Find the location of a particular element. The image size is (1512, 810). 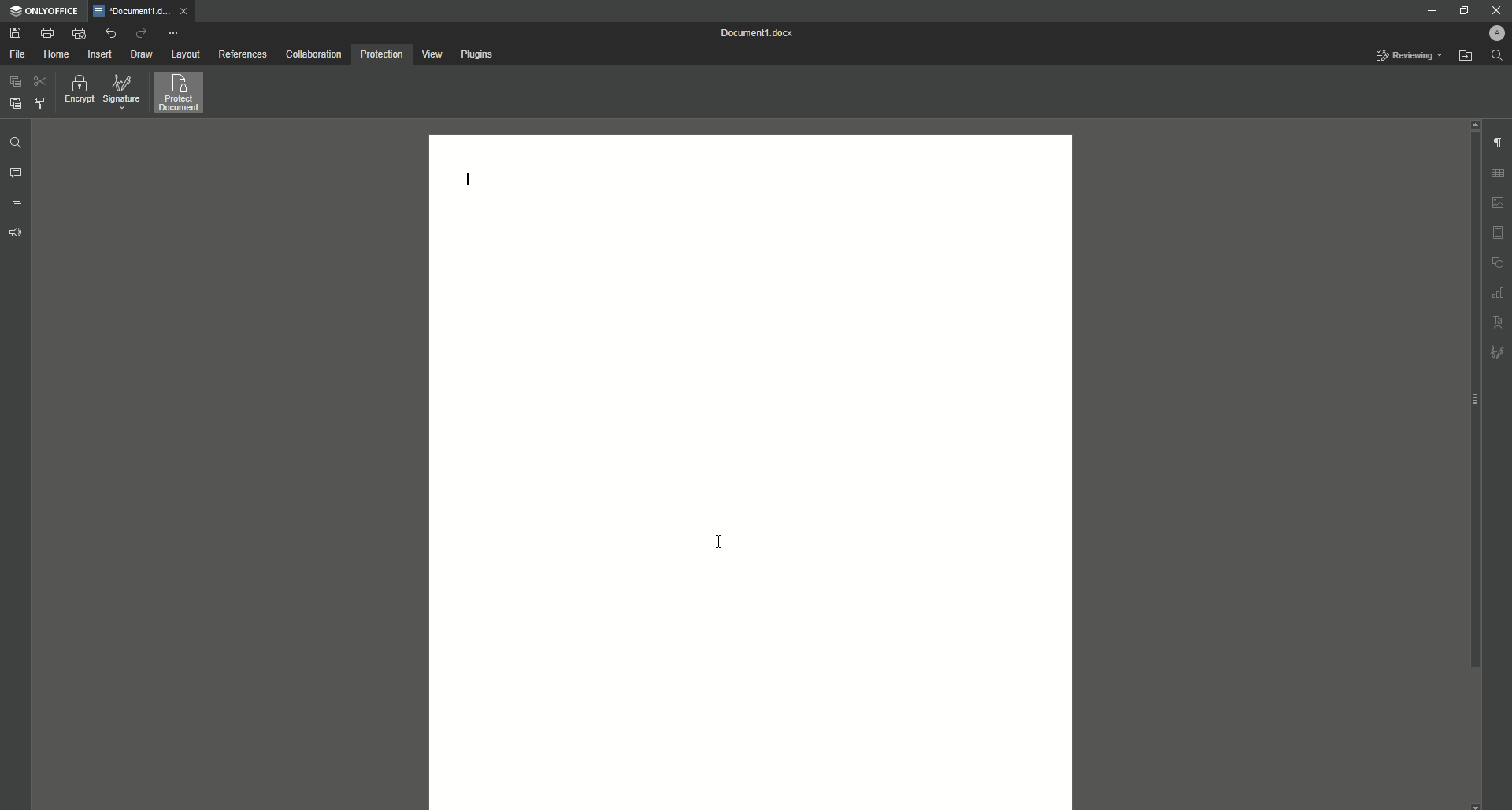

Comment is located at coordinates (17, 174).